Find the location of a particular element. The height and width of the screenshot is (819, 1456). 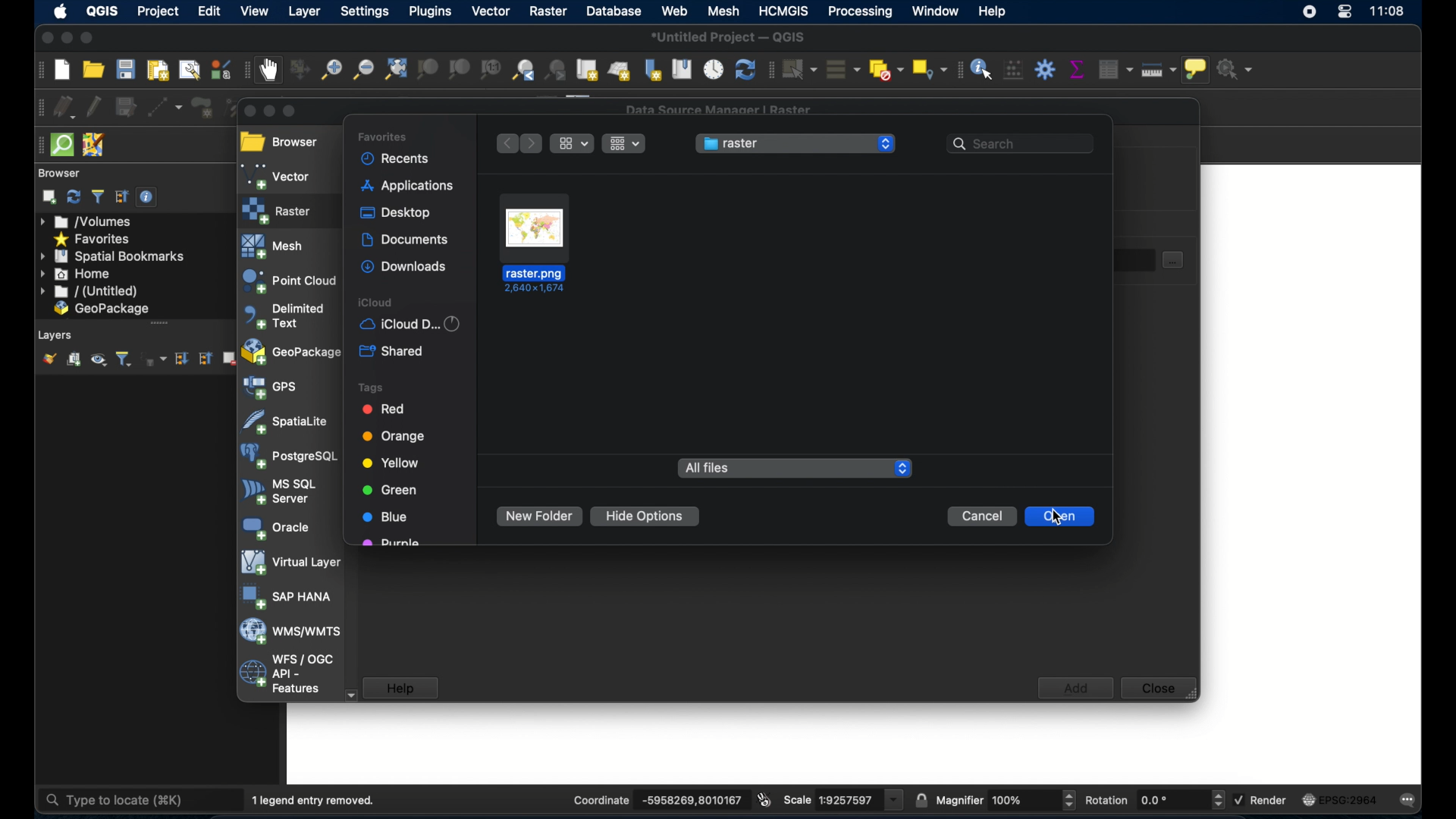

magnifier is located at coordinates (959, 799).